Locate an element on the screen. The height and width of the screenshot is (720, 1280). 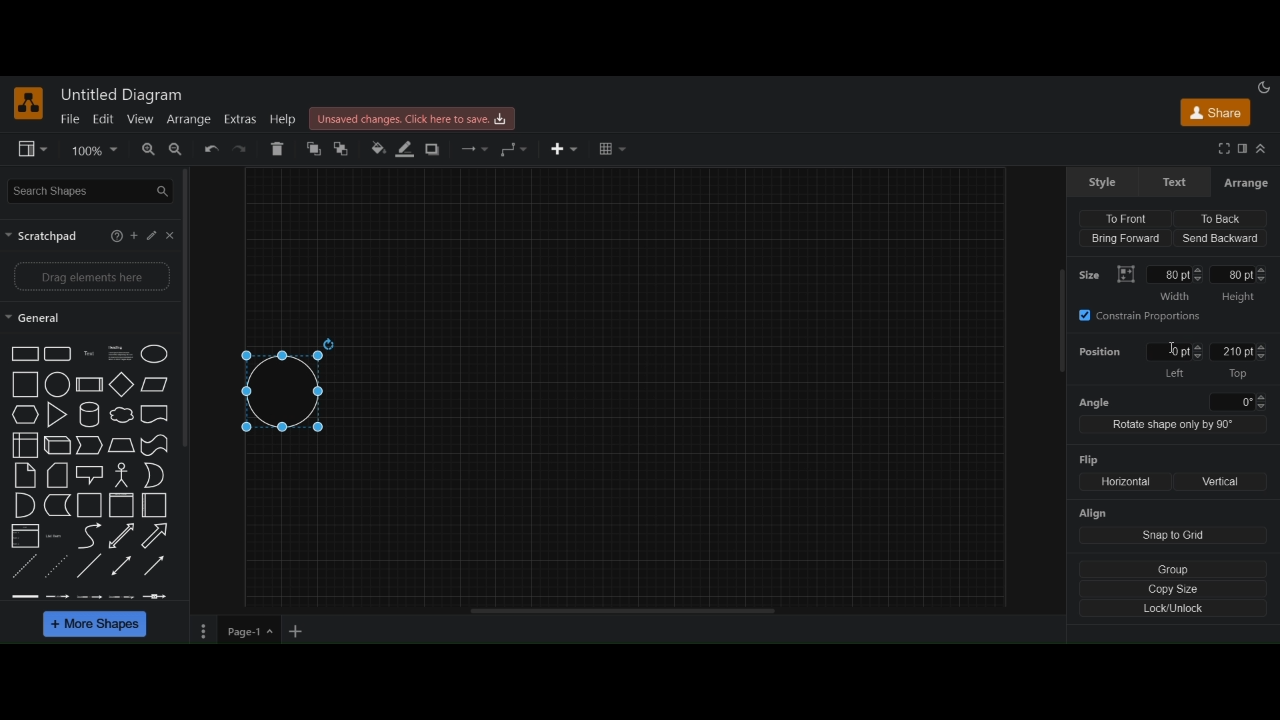
help is located at coordinates (283, 120).